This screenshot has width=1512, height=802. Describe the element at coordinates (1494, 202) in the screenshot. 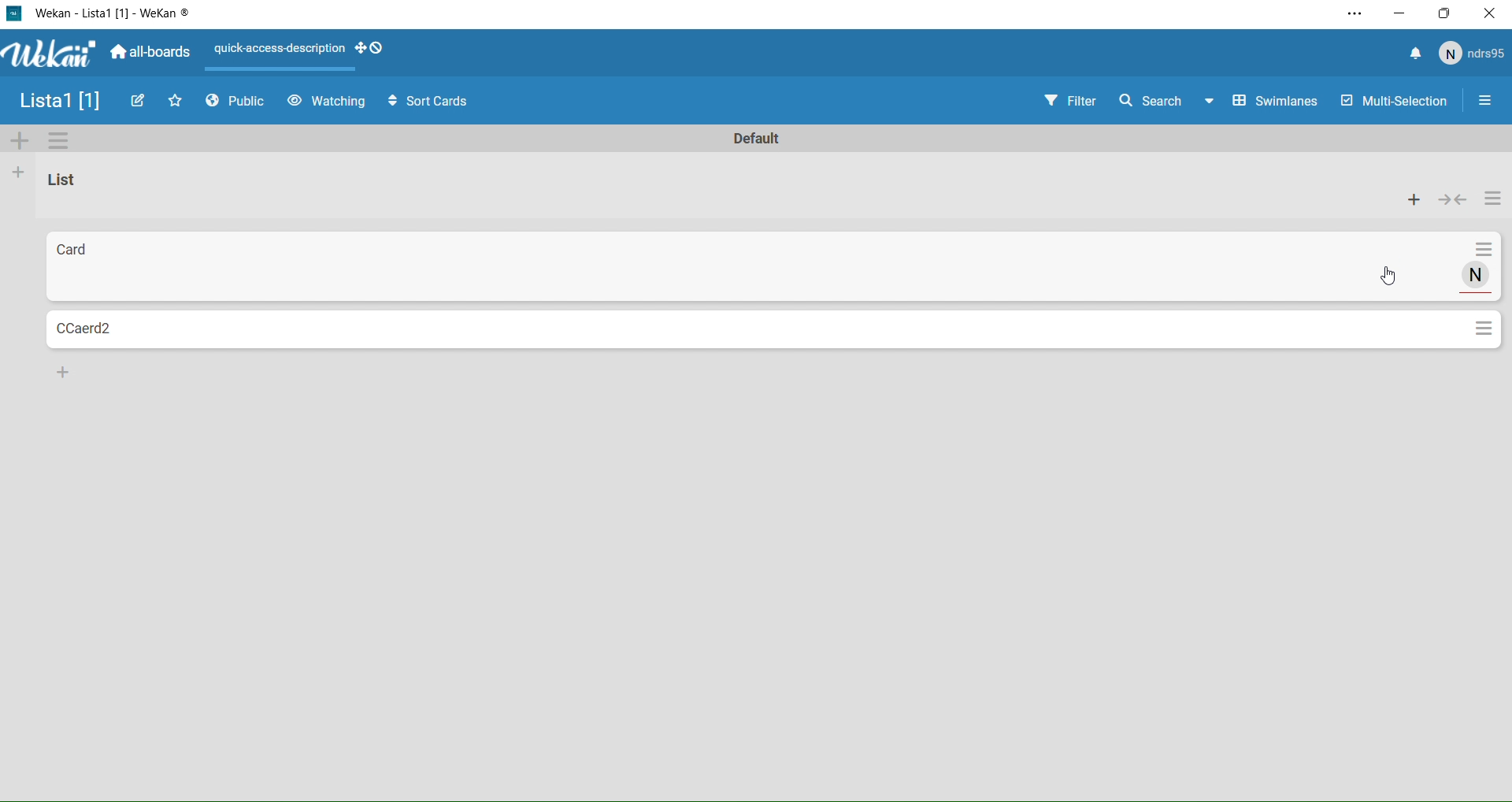

I see `more options` at that location.